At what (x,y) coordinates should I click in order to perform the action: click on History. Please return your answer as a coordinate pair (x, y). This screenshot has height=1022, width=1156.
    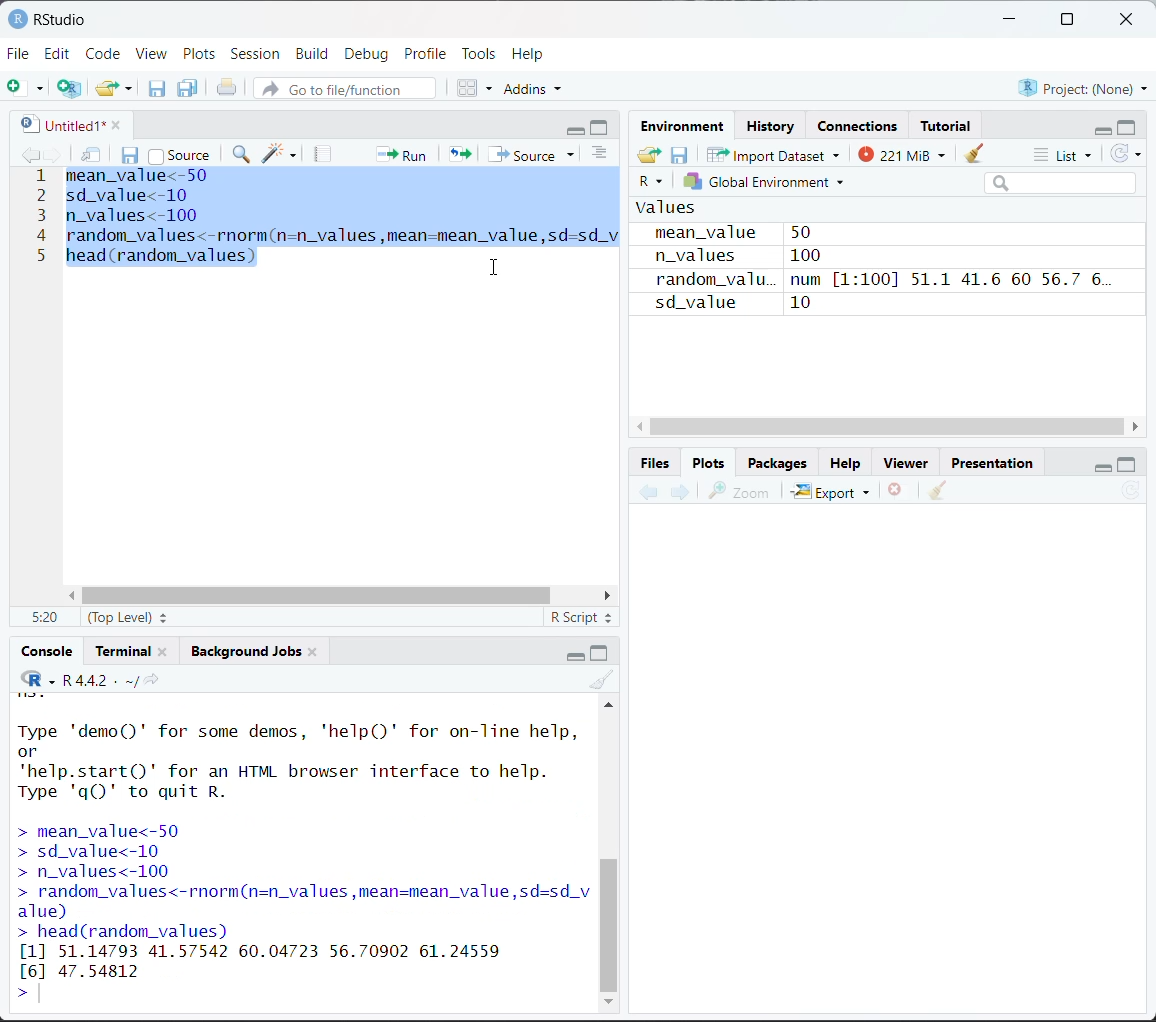
    Looking at the image, I should click on (772, 126).